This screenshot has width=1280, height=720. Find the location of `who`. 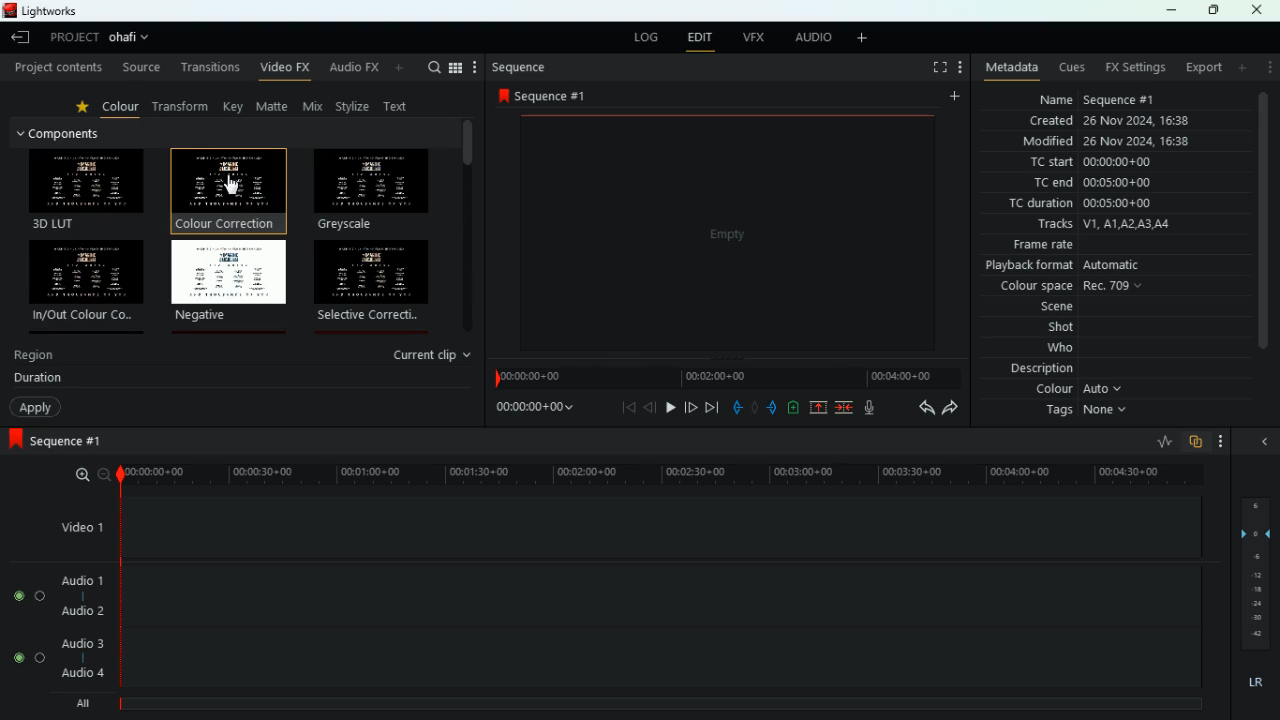

who is located at coordinates (1045, 350).